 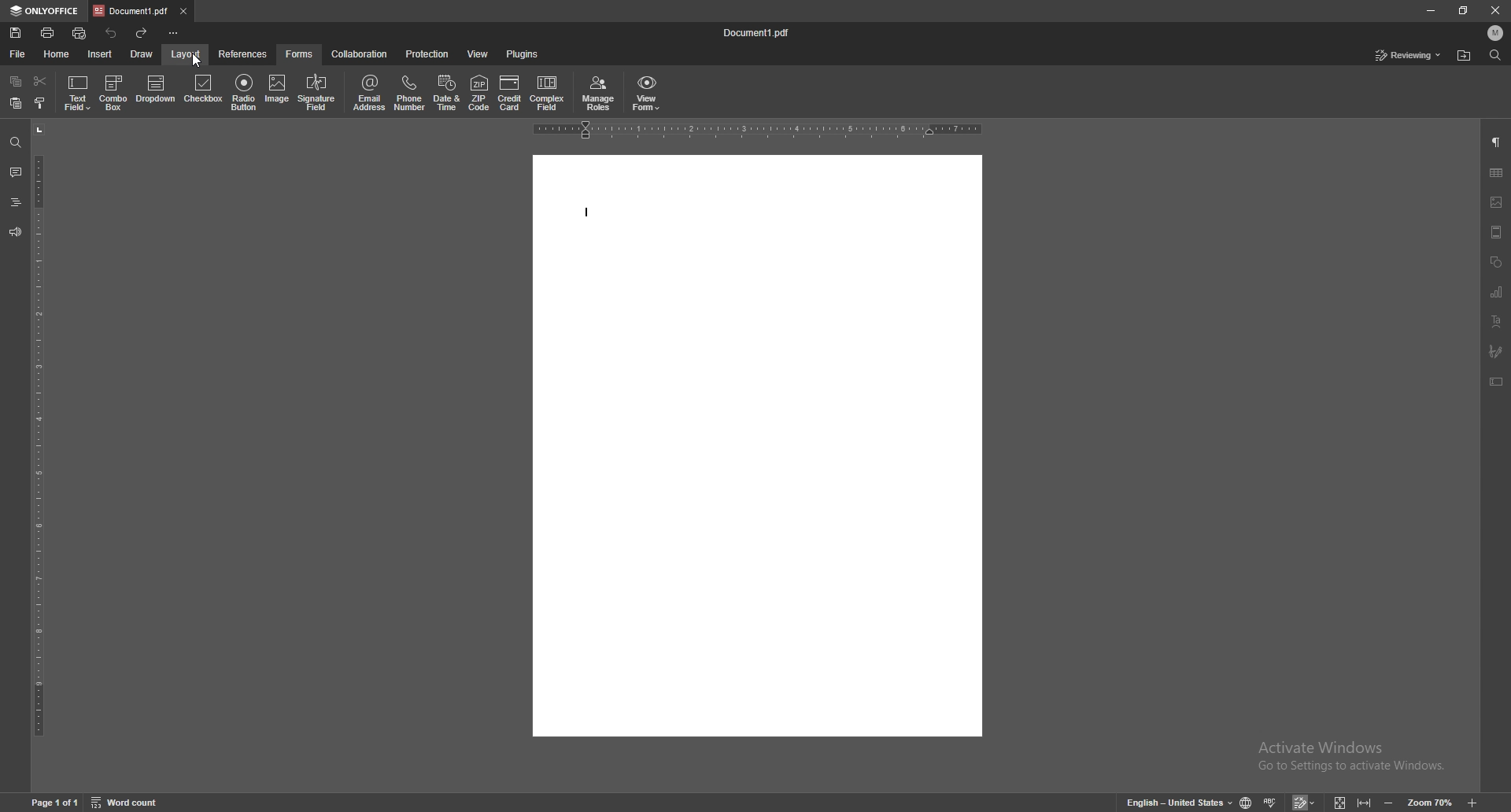 I want to click on manage roles, so click(x=601, y=93).